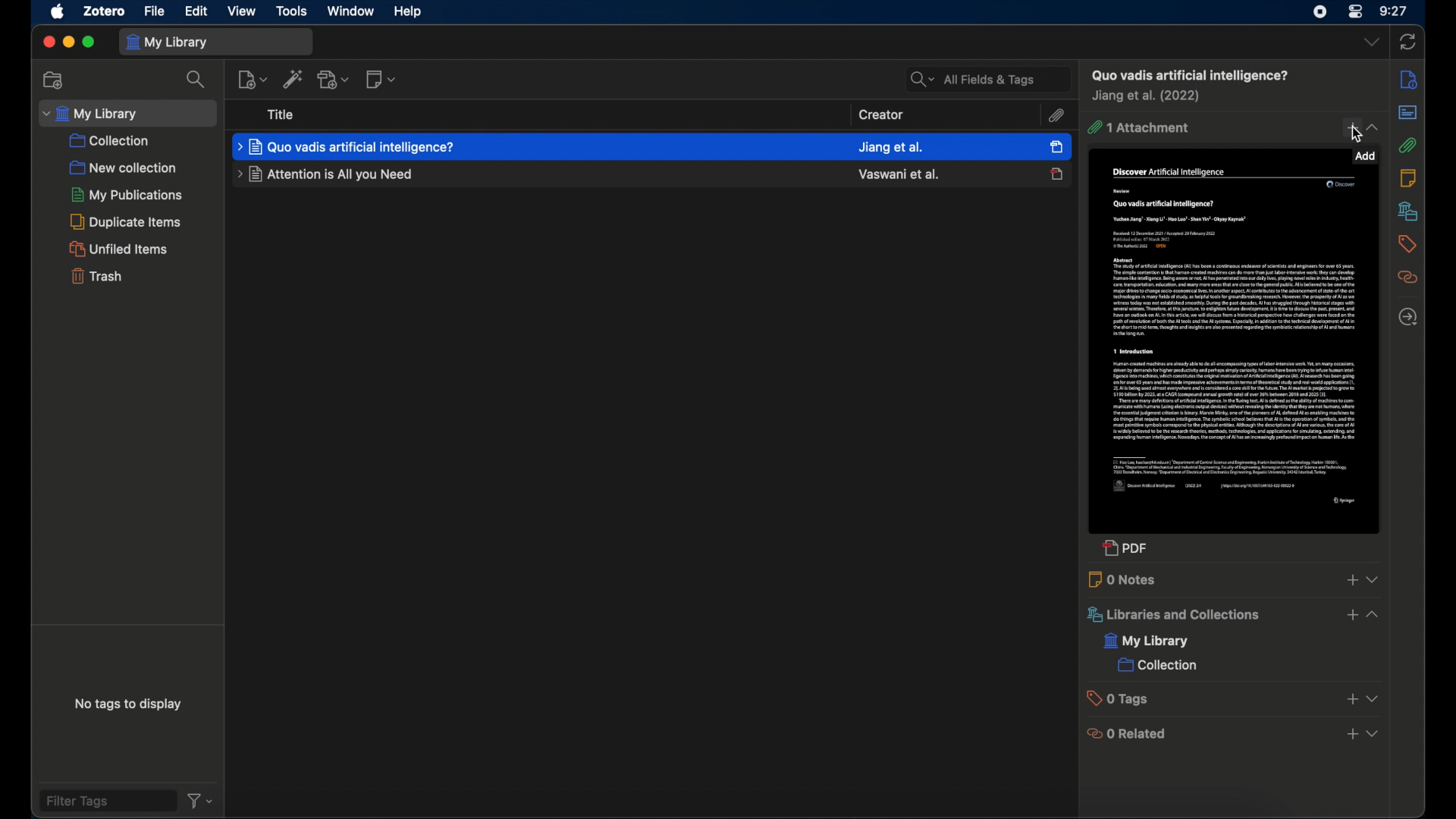  Describe the element at coordinates (1147, 642) in the screenshot. I see `my library` at that location.